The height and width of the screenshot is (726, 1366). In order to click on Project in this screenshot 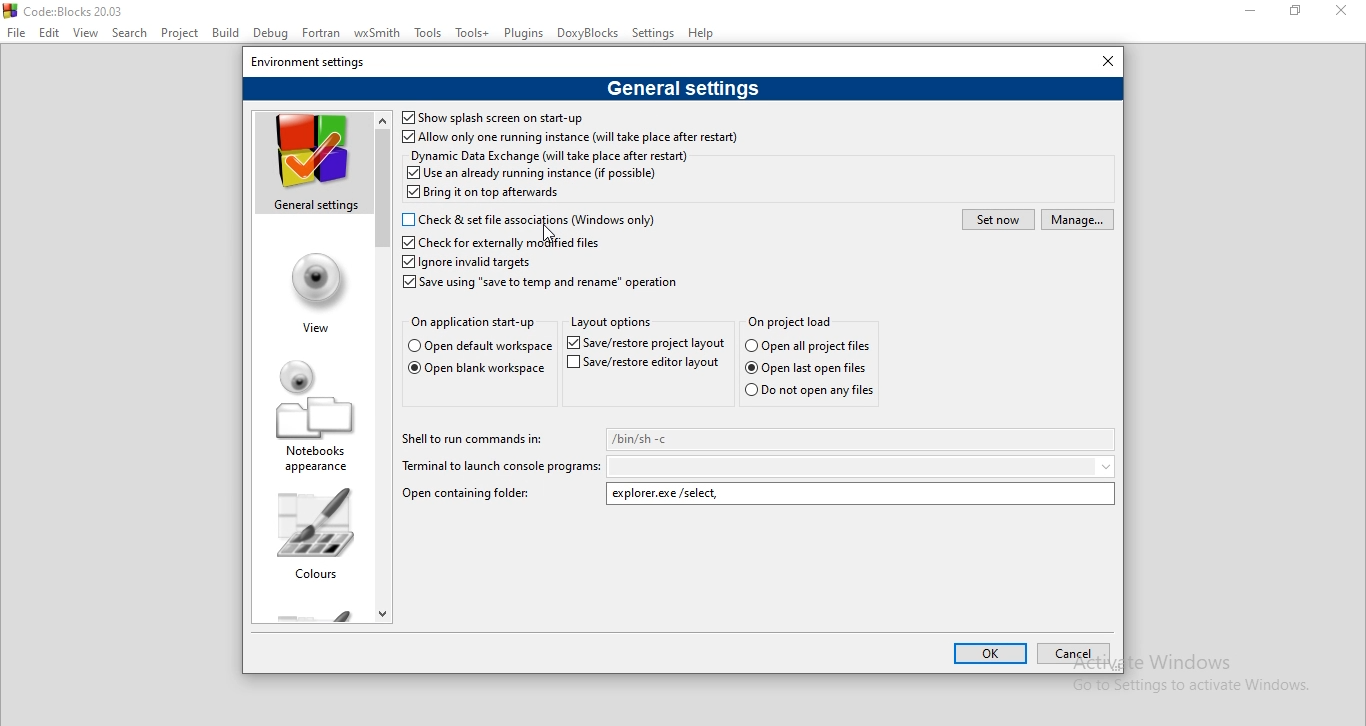, I will do `click(180, 35)`.